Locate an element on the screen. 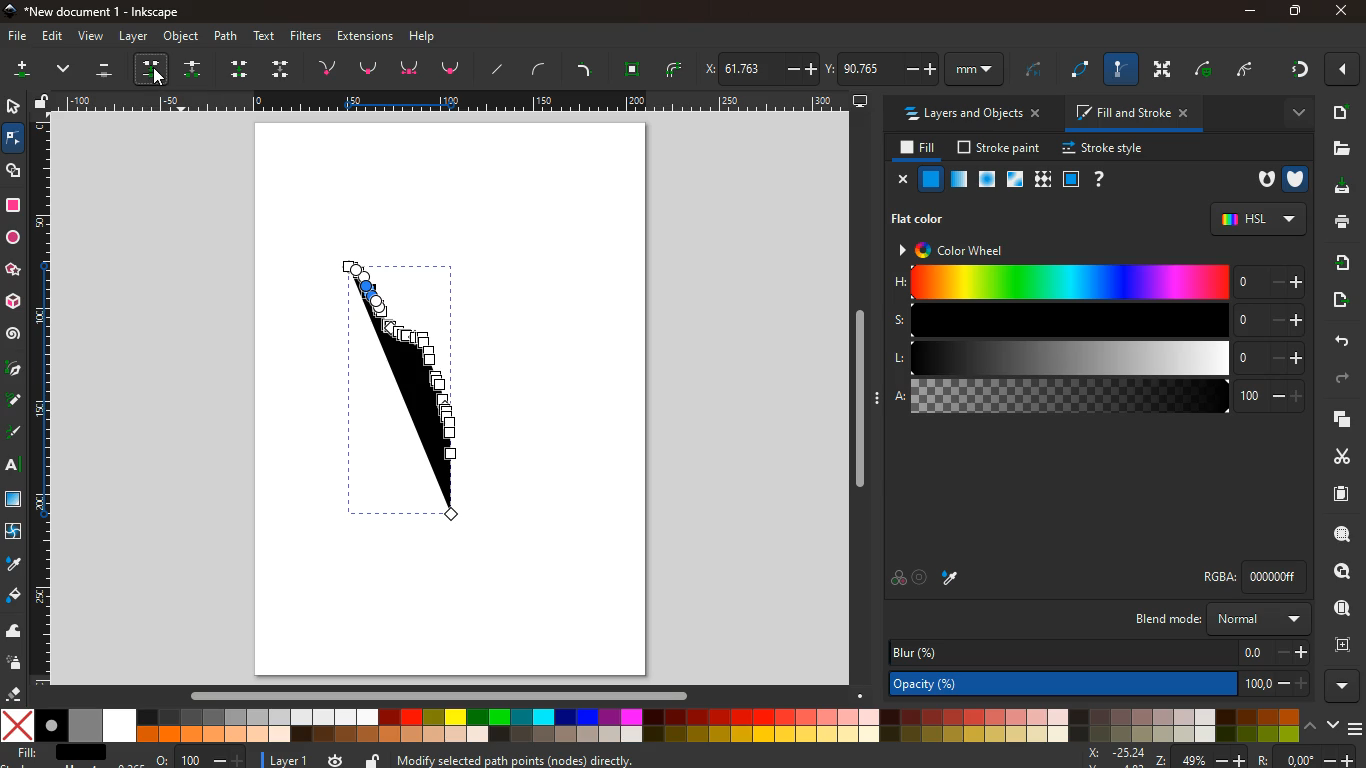 The image size is (1366, 768). node is located at coordinates (15, 137).